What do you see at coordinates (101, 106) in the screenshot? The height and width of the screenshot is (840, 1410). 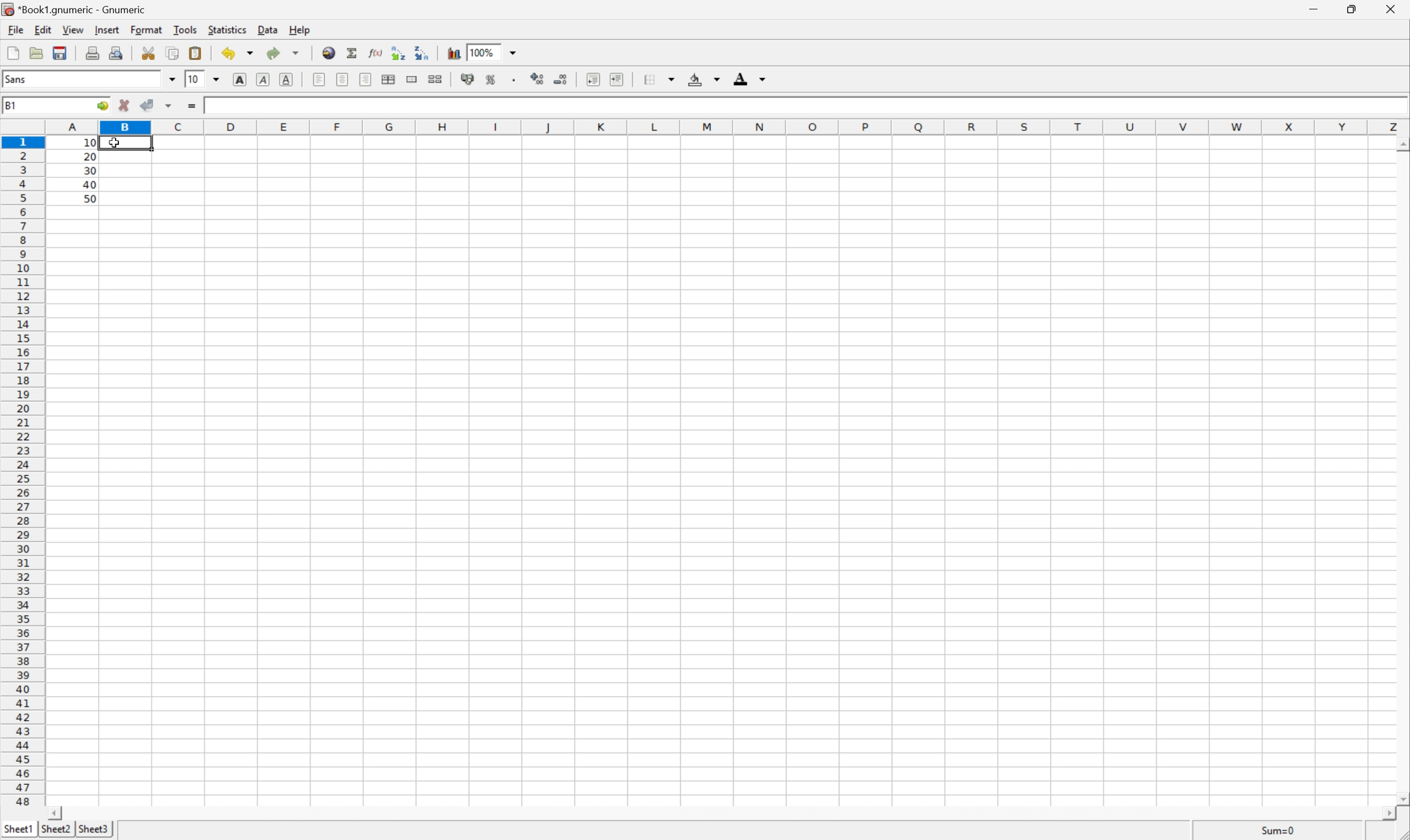 I see `Go To` at bounding box center [101, 106].